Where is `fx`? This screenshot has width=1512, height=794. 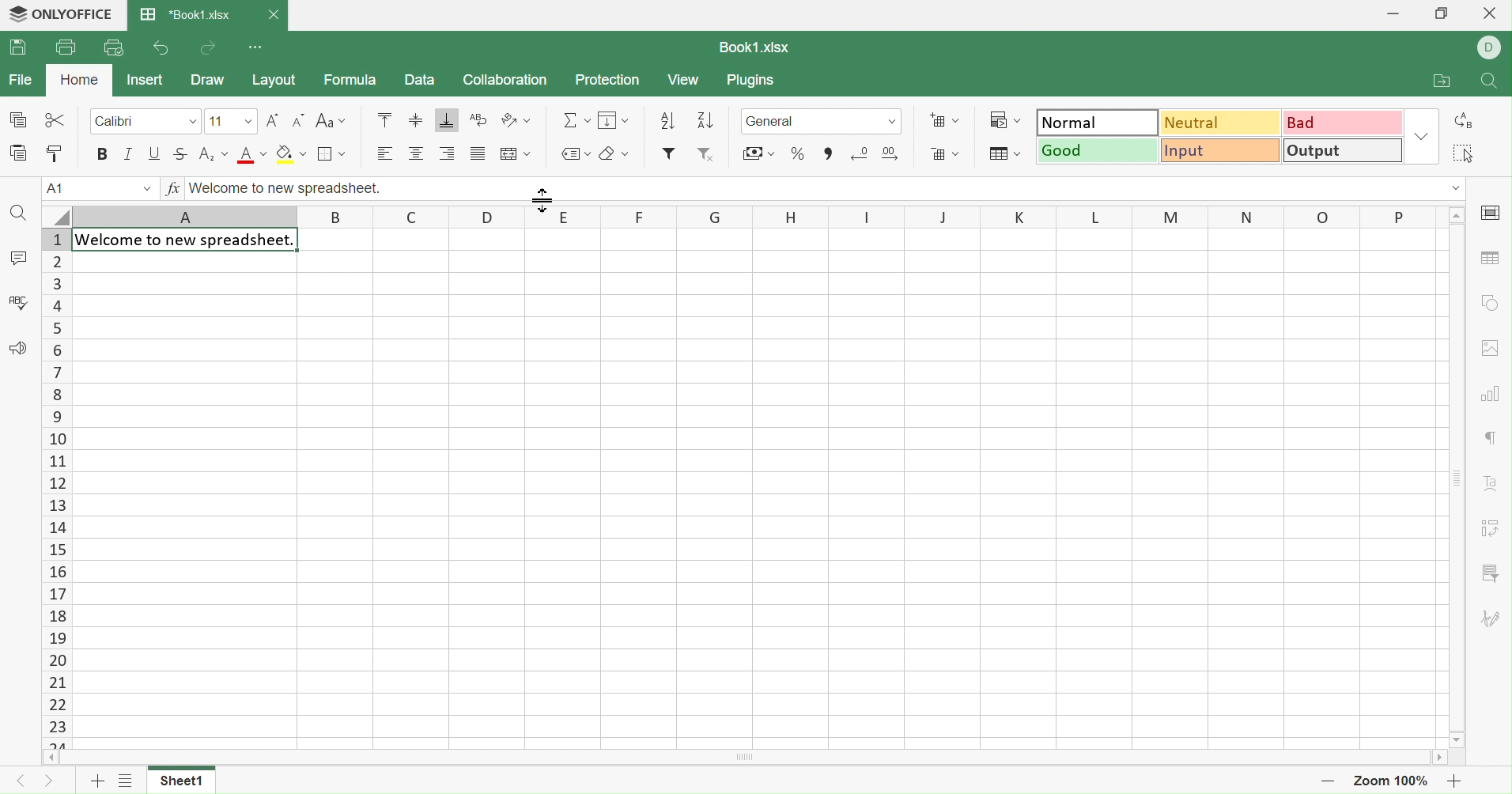
fx is located at coordinates (171, 188).